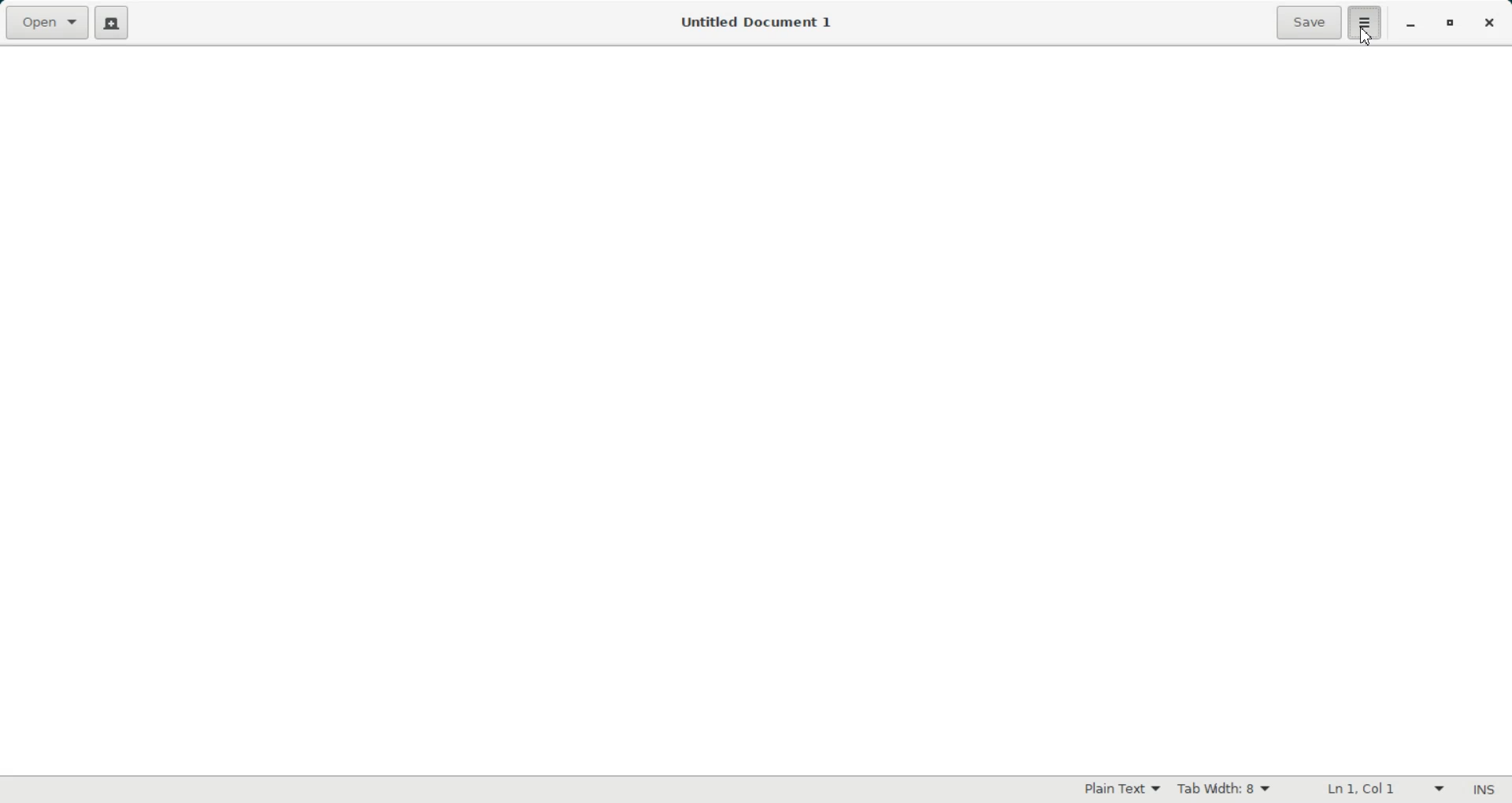 The height and width of the screenshot is (803, 1512). What do you see at coordinates (1122, 789) in the screenshot?
I see `Plain Text` at bounding box center [1122, 789].